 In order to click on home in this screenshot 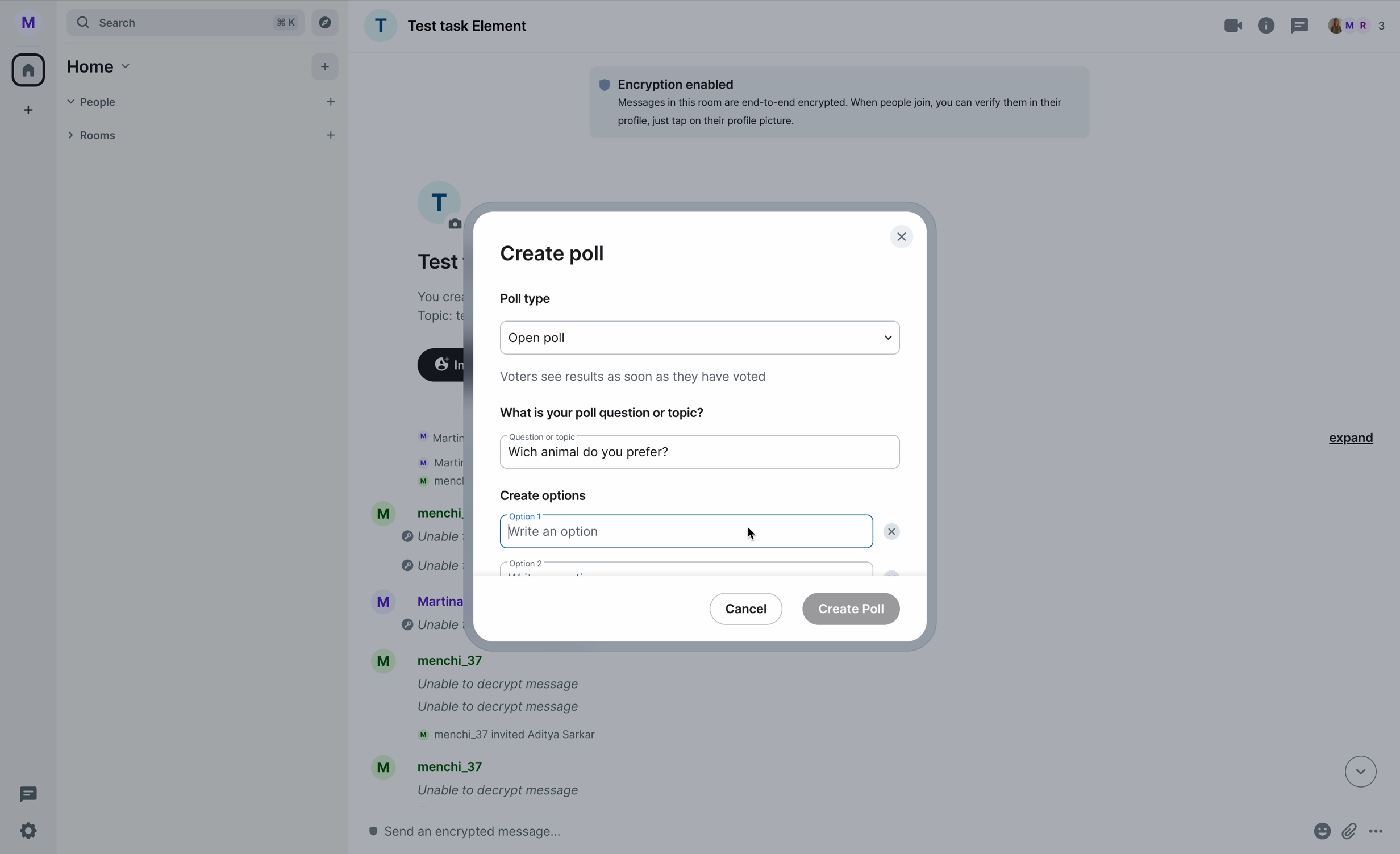, I will do `click(96, 66)`.